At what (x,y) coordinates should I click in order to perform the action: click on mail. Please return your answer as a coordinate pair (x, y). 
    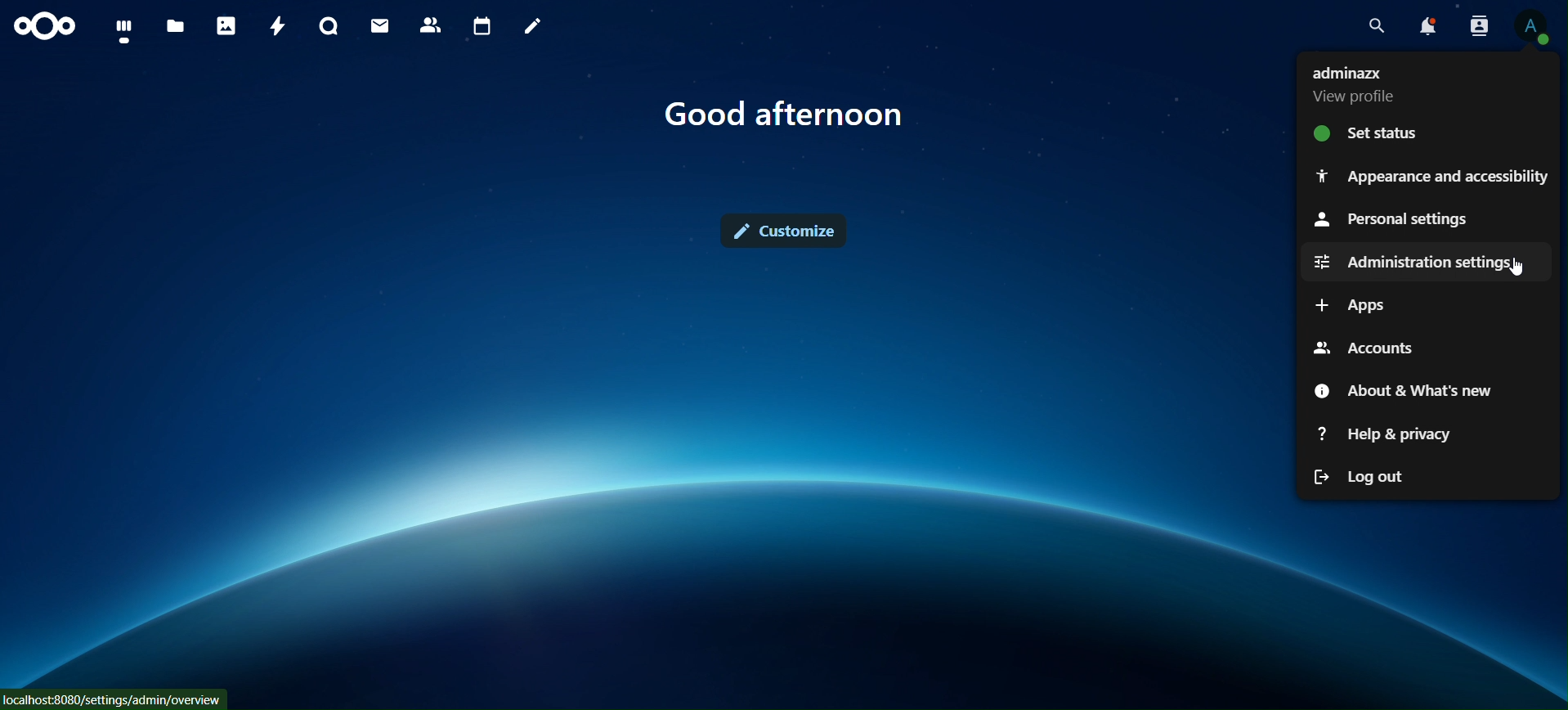
    Looking at the image, I should click on (379, 26).